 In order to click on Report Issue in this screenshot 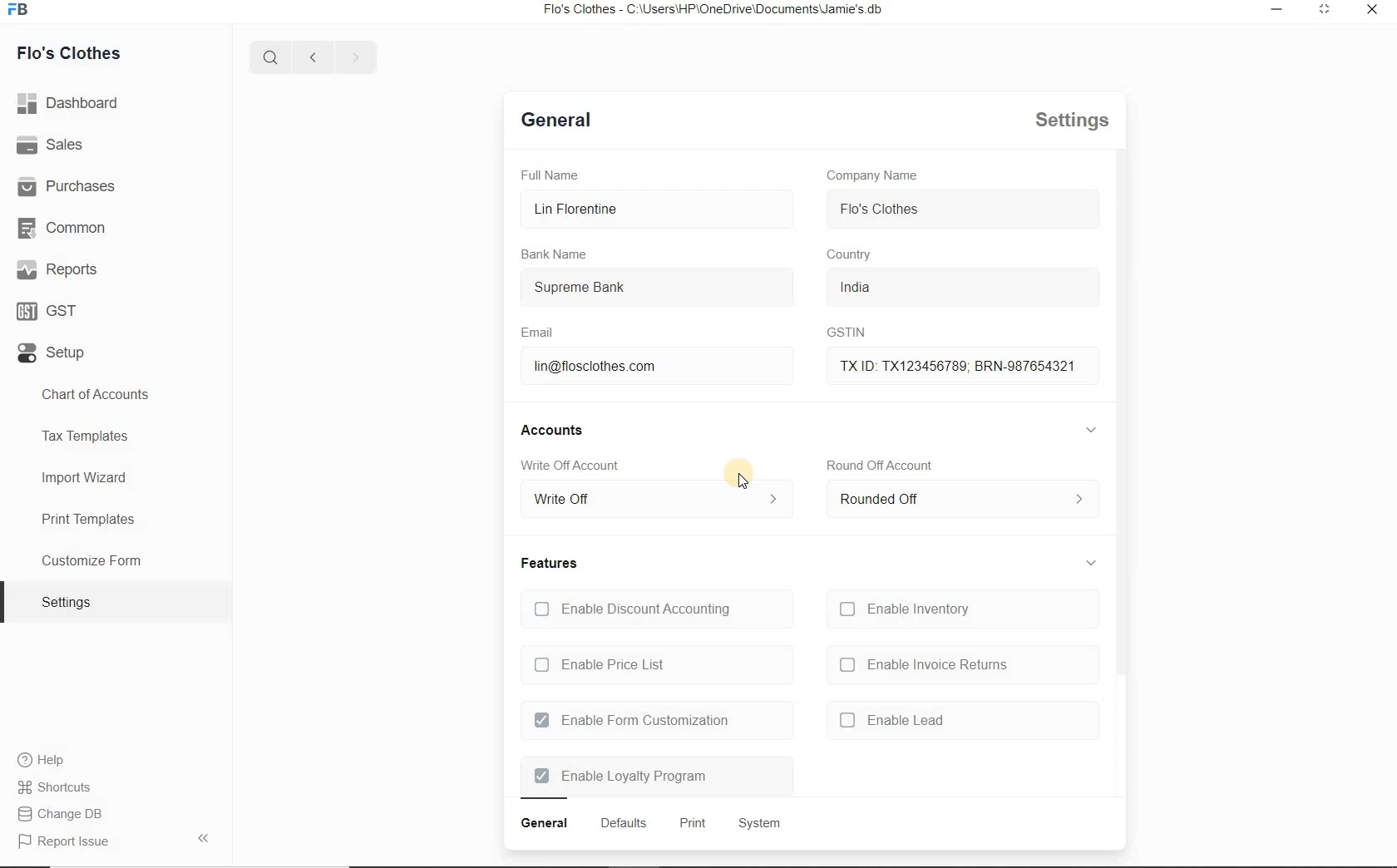, I will do `click(115, 839)`.